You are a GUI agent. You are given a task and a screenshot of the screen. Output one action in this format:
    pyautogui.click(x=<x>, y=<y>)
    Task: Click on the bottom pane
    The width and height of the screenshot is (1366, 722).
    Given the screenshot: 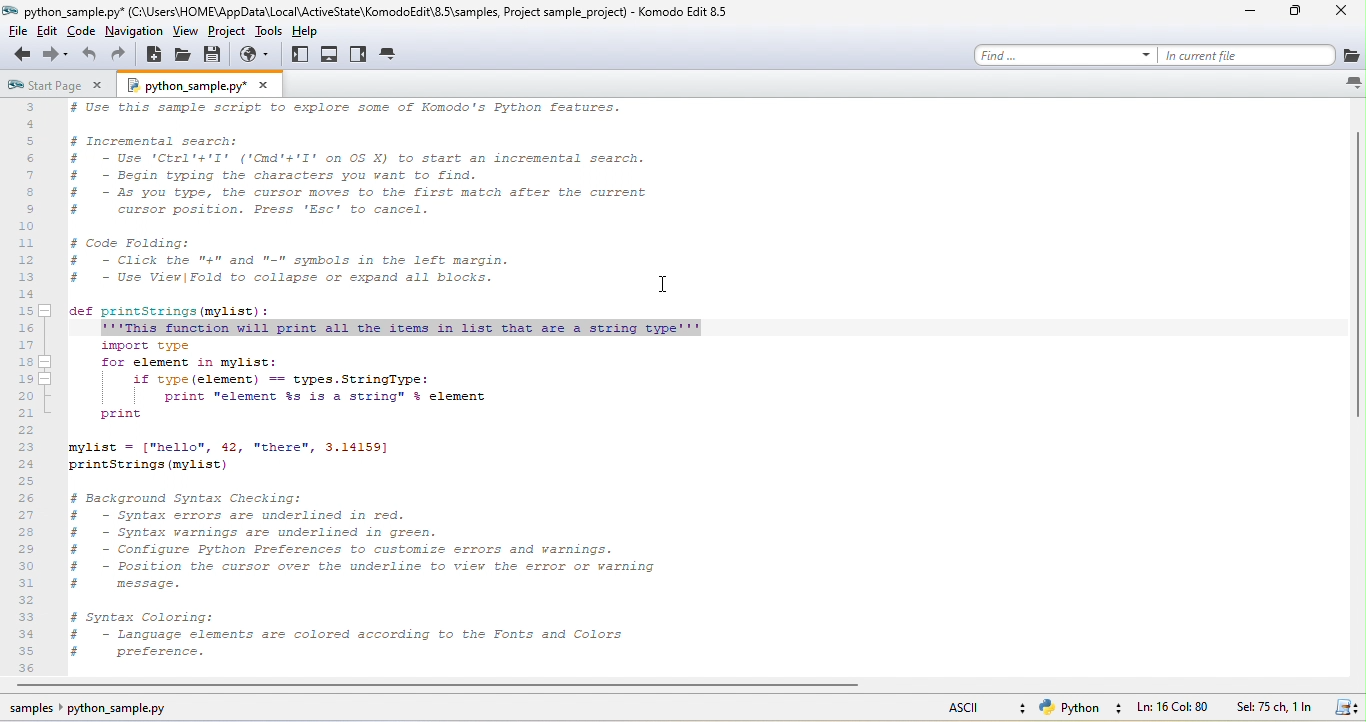 What is the action you would take?
    pyautogui.click(x=331, y=56)
    